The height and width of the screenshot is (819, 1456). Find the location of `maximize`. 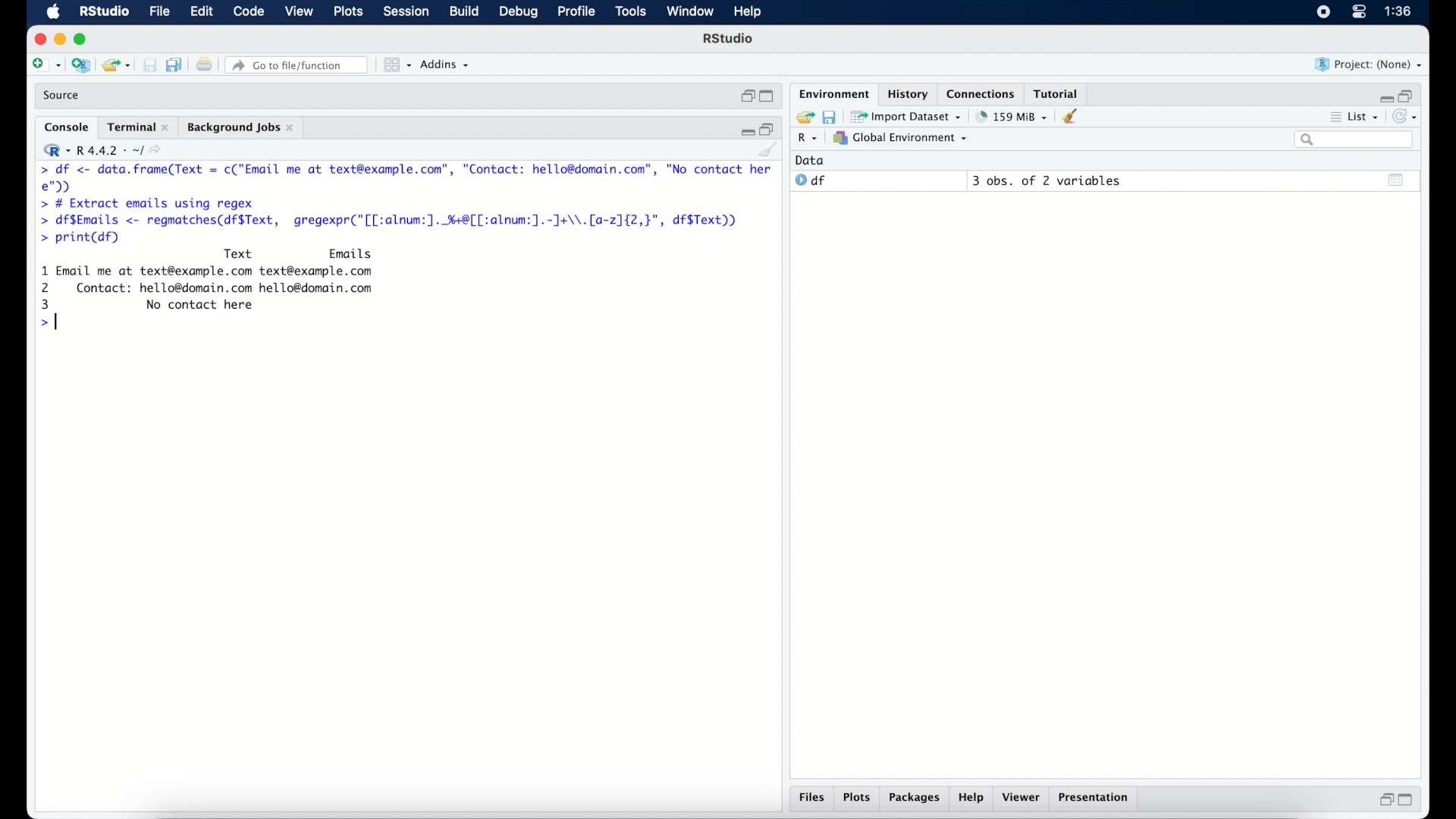

maximize is located at coordinates (1407, 801).